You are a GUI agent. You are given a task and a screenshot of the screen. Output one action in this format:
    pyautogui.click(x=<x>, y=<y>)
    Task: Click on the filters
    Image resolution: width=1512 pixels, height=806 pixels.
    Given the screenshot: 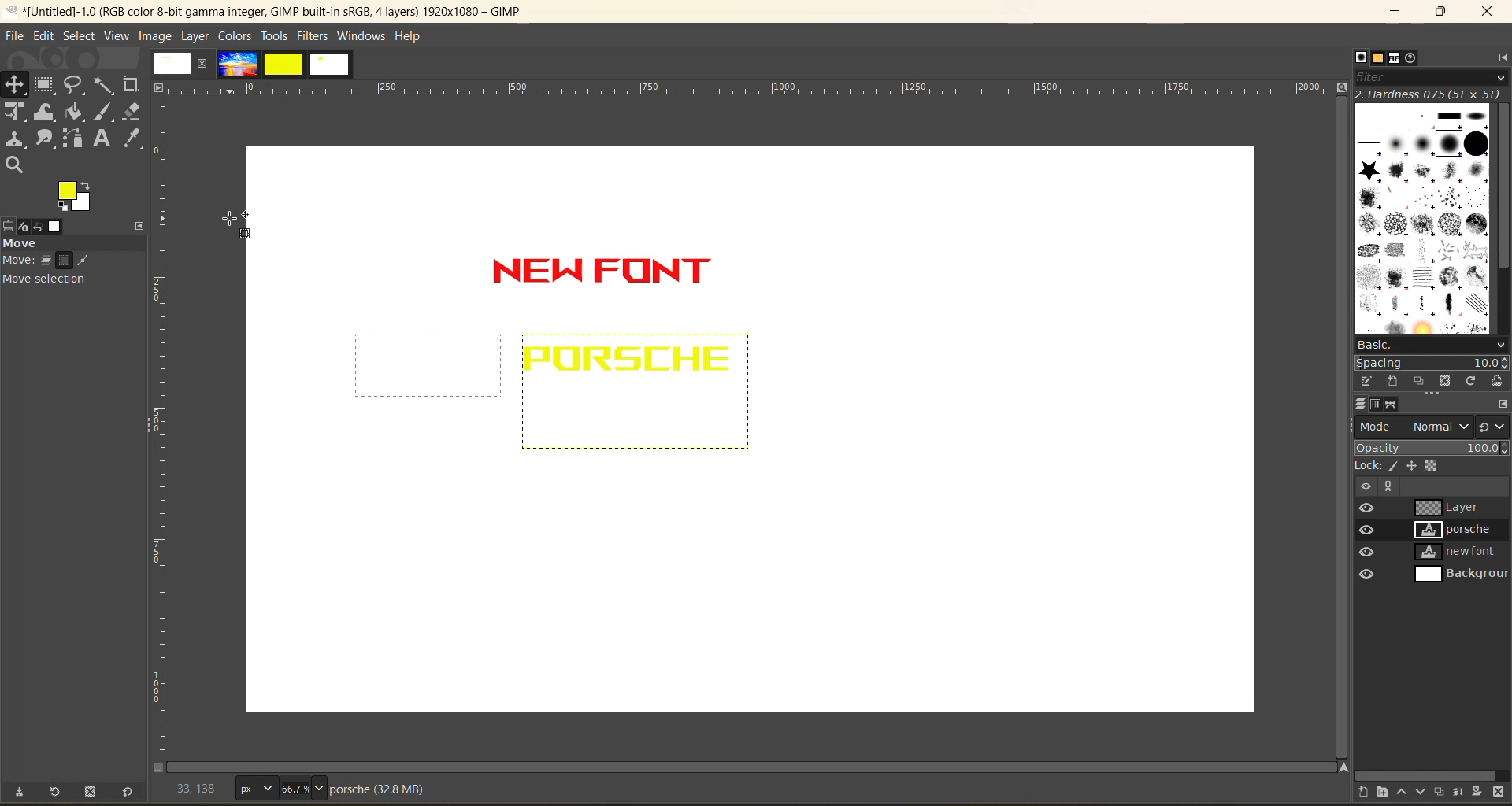 What is the action you would take?
    pyautogui.click(x=312, y=37)
    